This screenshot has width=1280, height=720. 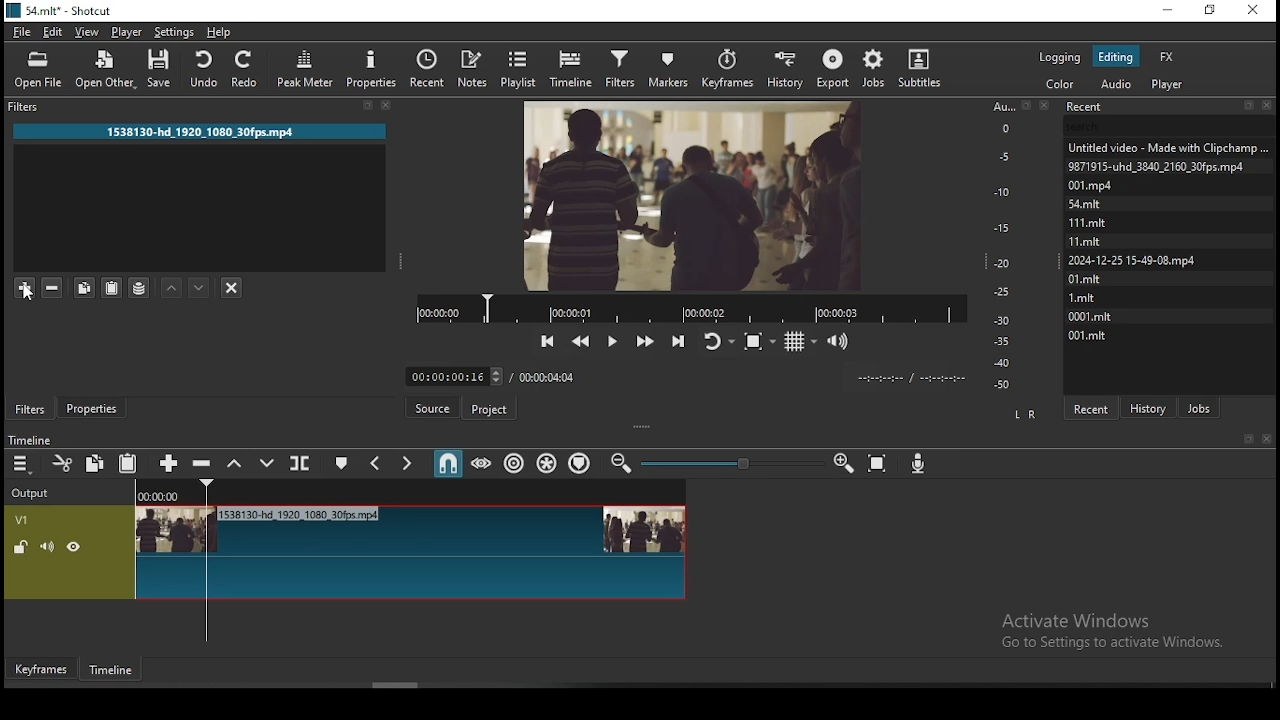 What do you see at coordinates (1255, 11) in the screenshot?
I see `close window` at bounding box center [1255, 11].